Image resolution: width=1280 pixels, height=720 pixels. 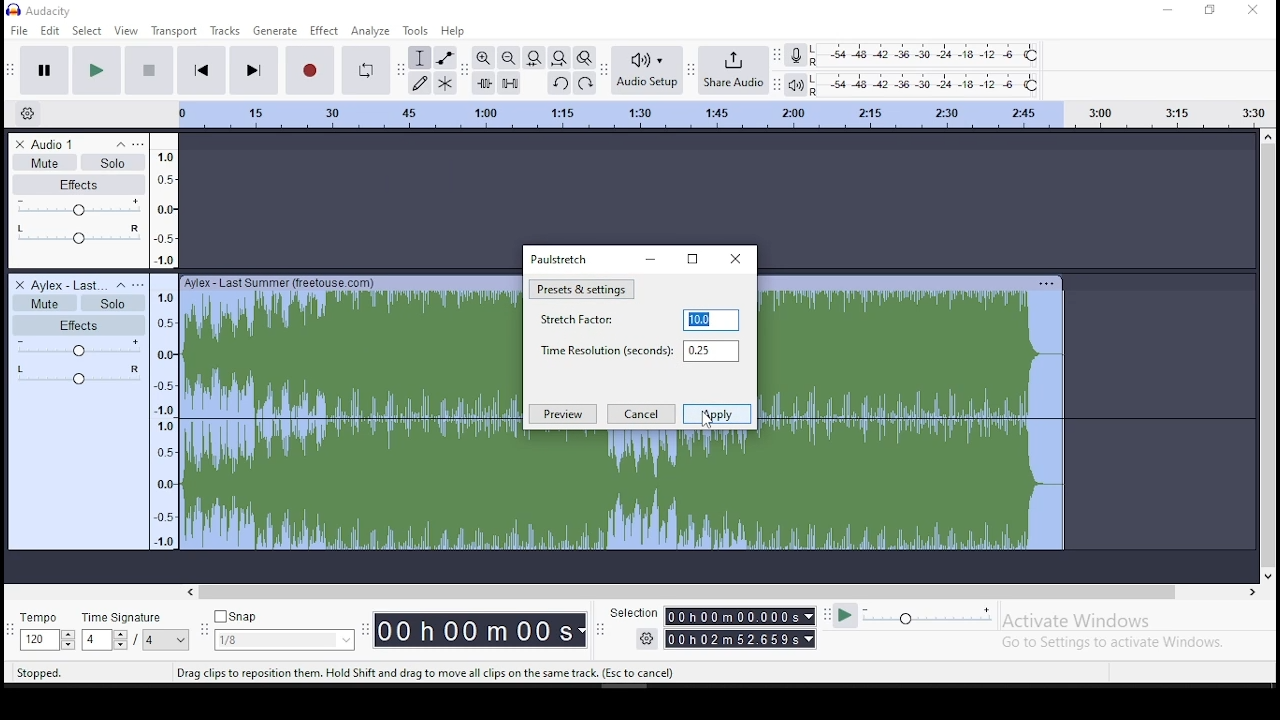 I want to click on volume, so click(x=80, y=210).